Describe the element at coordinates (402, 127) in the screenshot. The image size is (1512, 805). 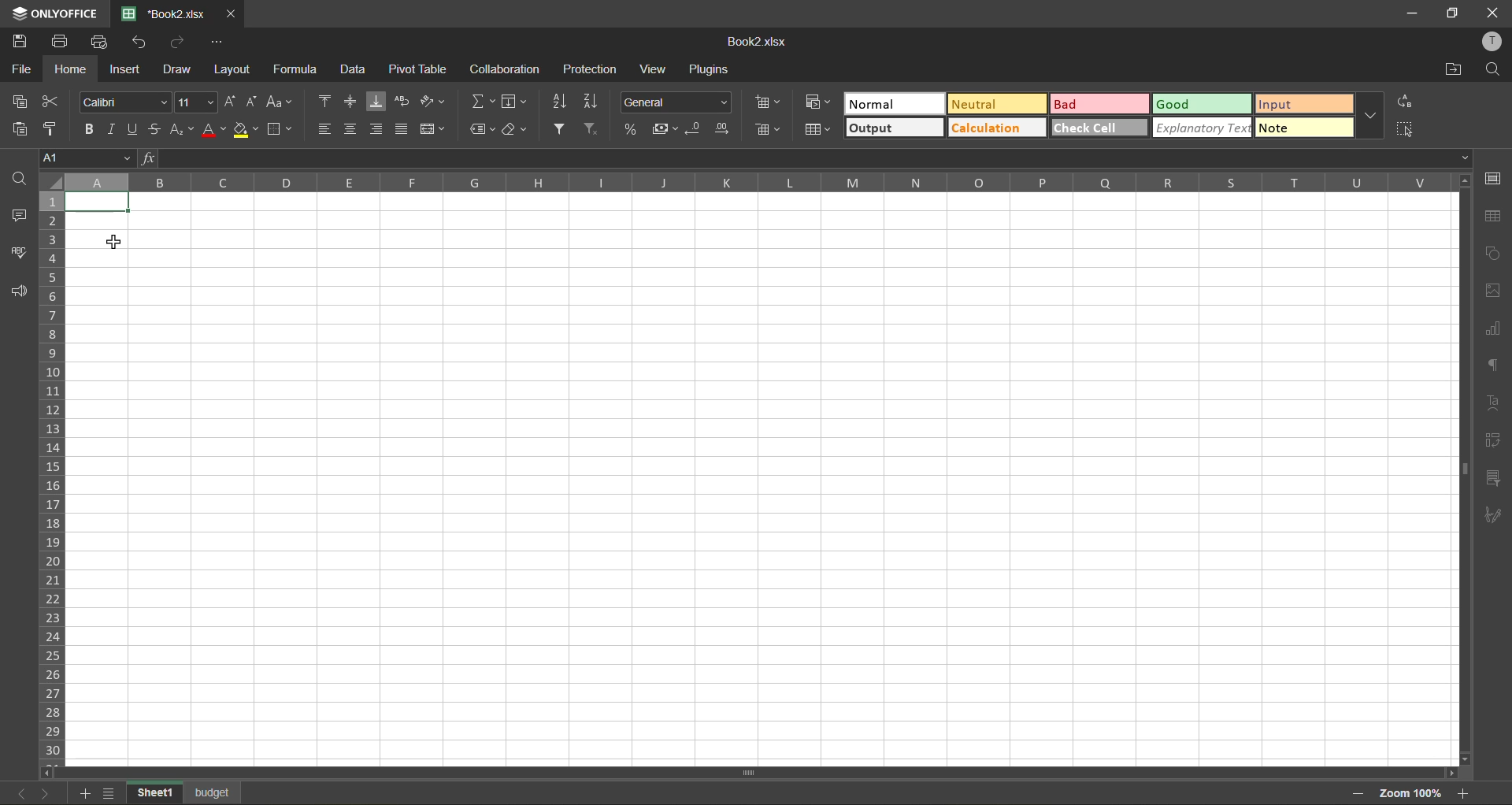
I see `justified` at that location.